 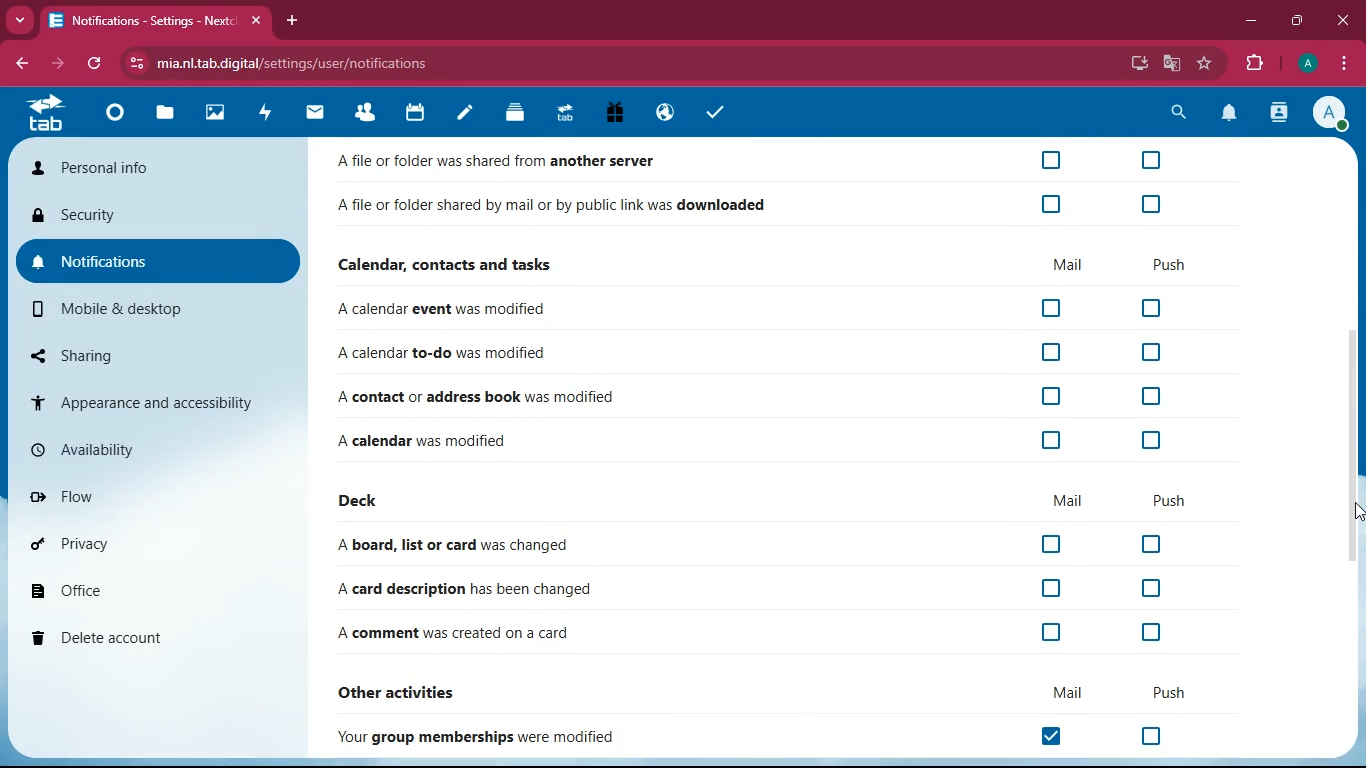 What do you see at coordinates (456, 635) in the screenshot?
I see `A comment was created on a card` at bounding box center [456, 635].